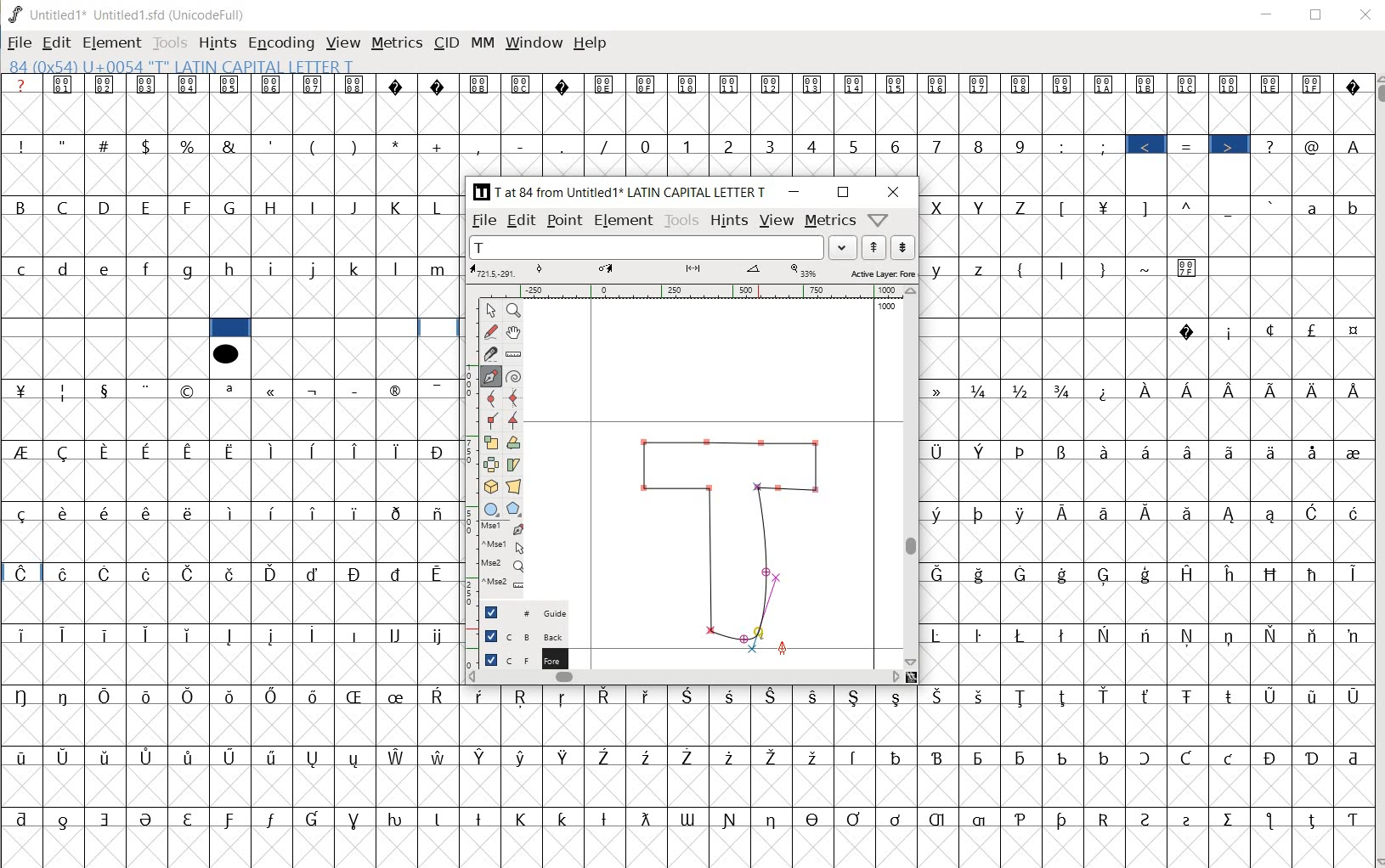  What do you see at coordinates (1024, 206) in the screenshot?
I see `Z` at bounding box center [1024, 206].